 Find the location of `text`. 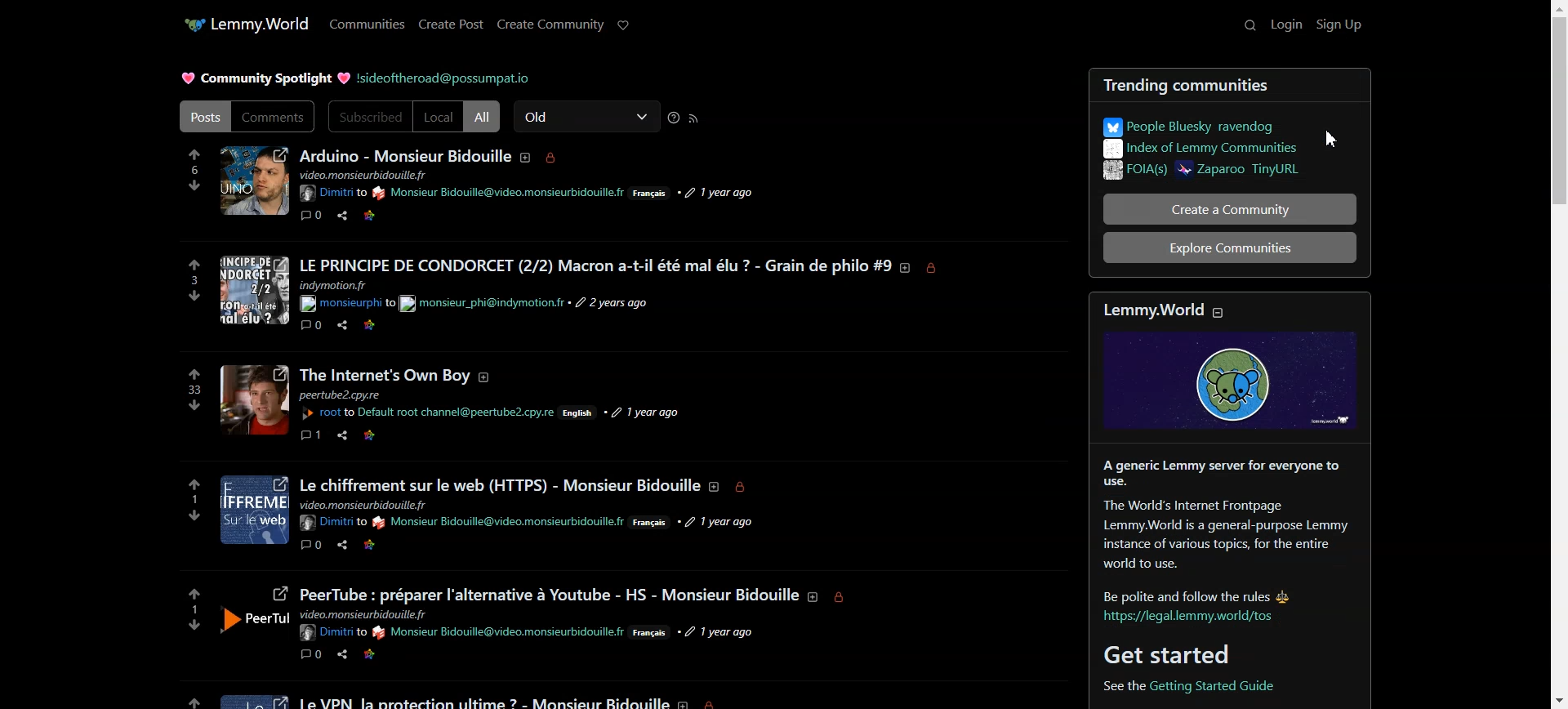

text is located at coordinates (363, 504).